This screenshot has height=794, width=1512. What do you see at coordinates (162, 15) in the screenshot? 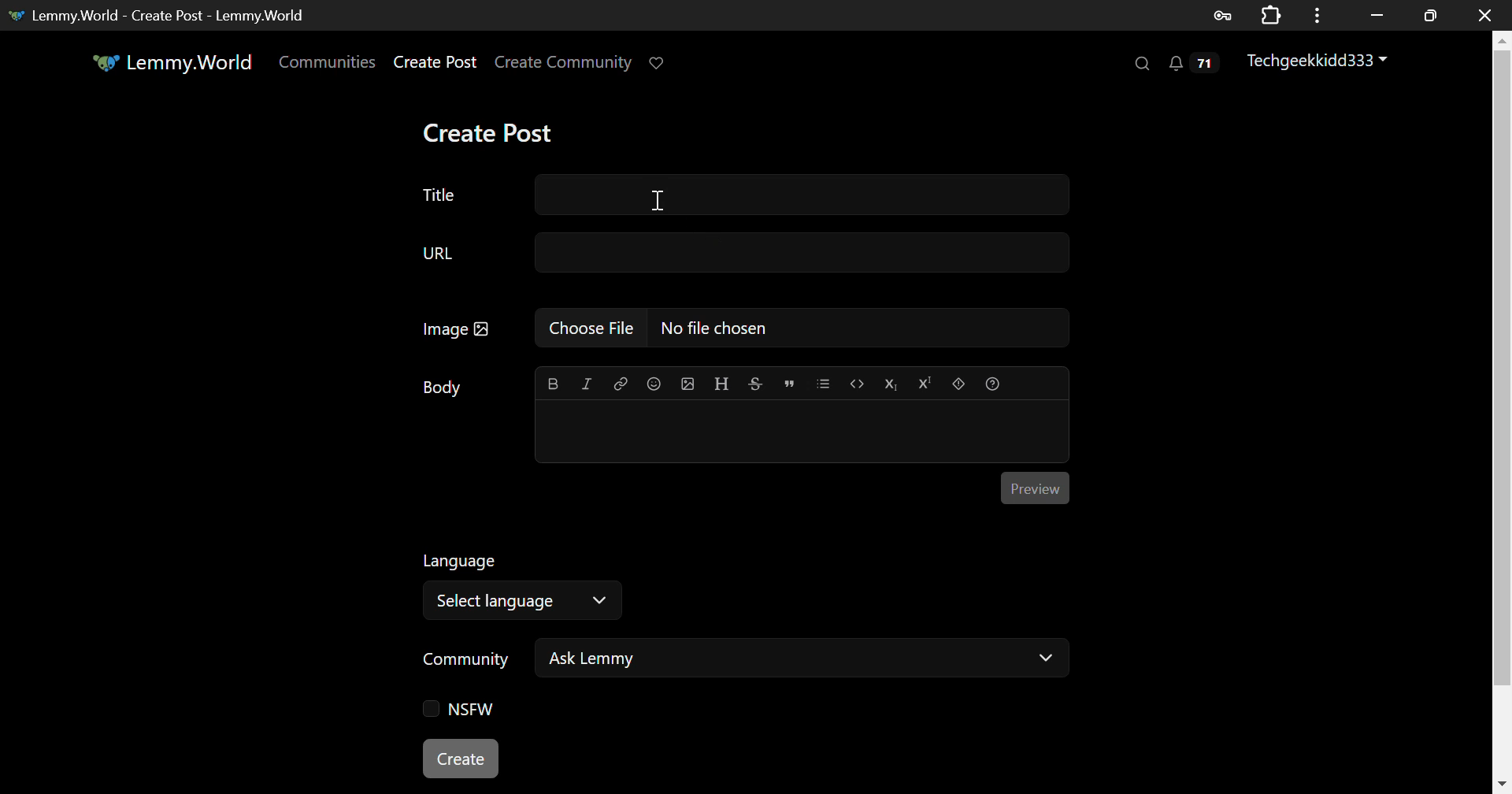
I see `Lemmy.World - Create Post - Lemmy.World` at bounding box center [162, 15].